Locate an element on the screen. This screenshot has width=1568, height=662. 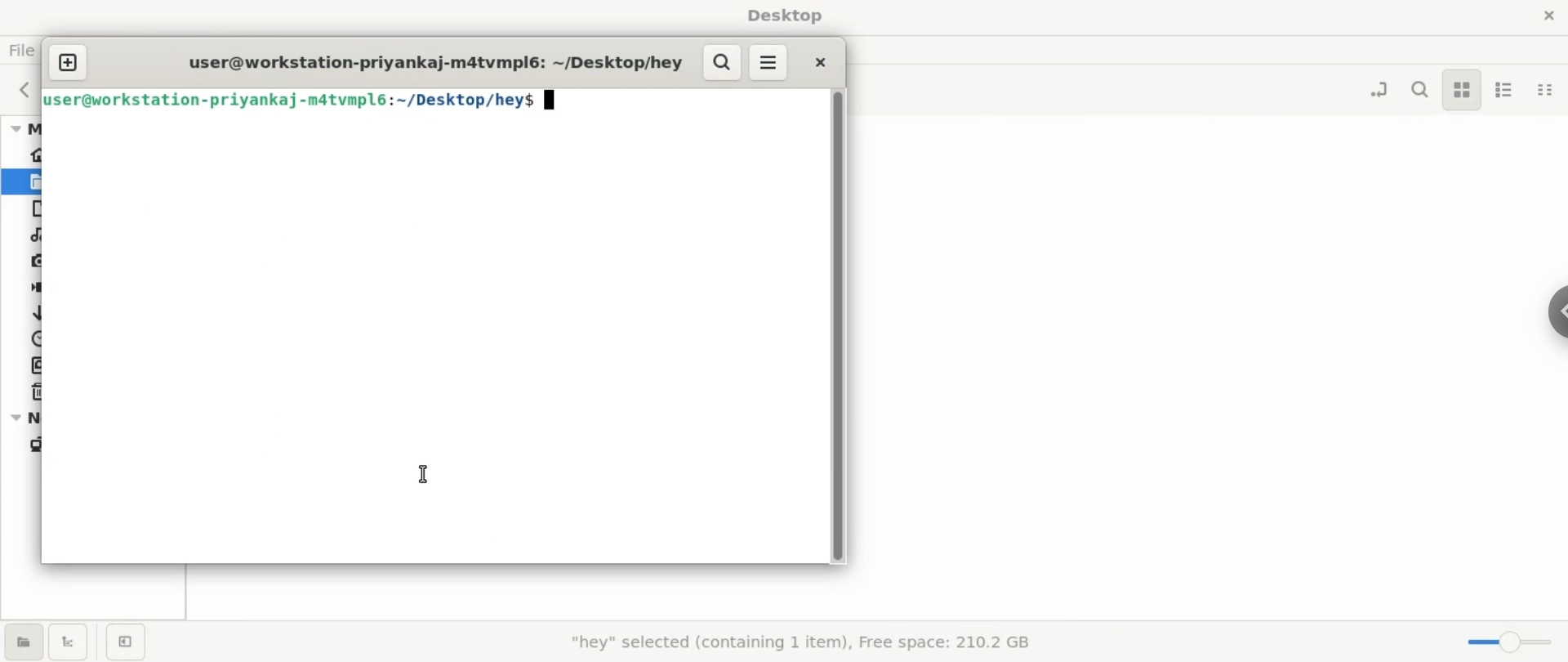
list view is located at coordinates (1501, 87).